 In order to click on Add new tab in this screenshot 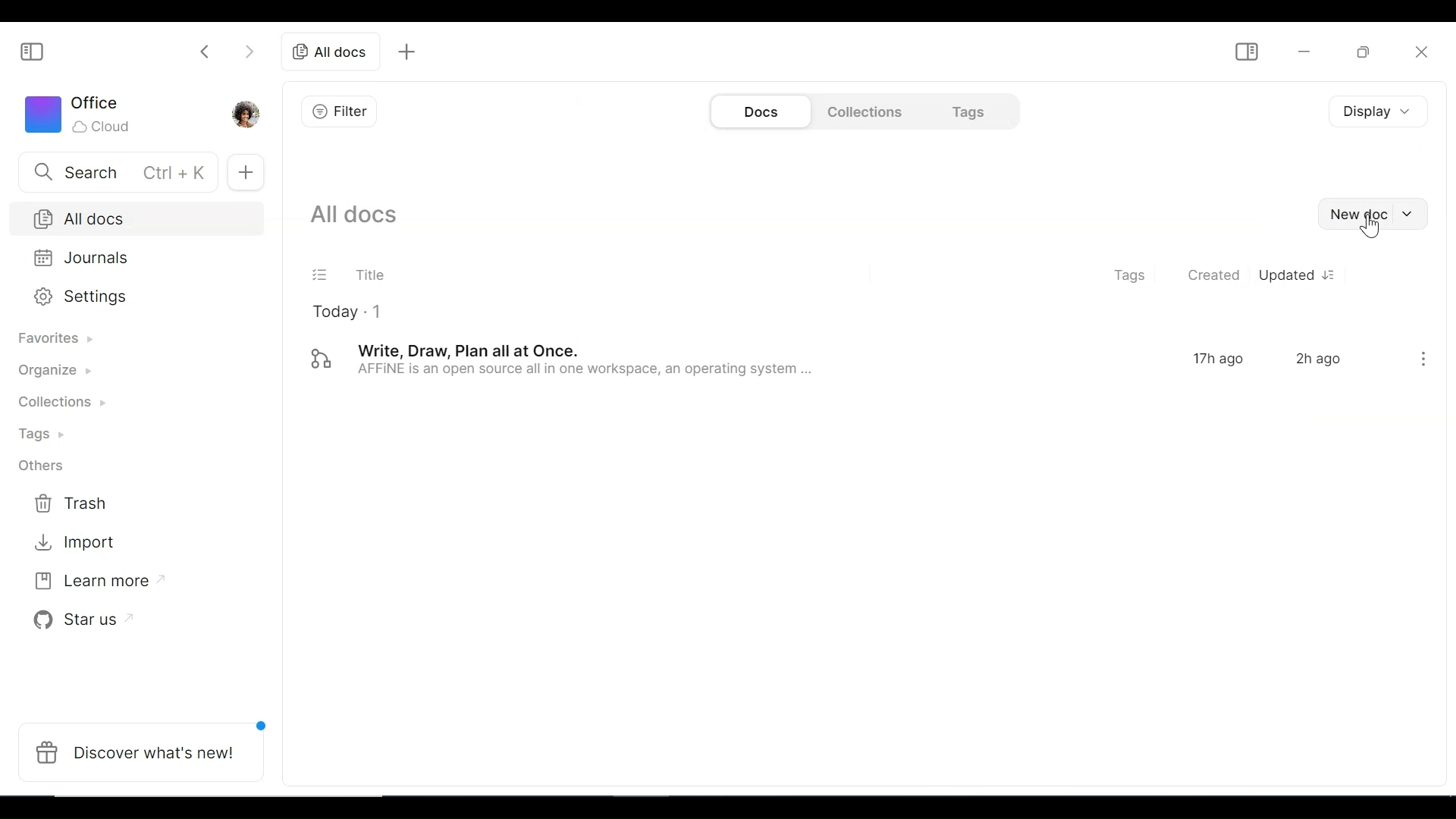, I will do `click(406, 52)`.